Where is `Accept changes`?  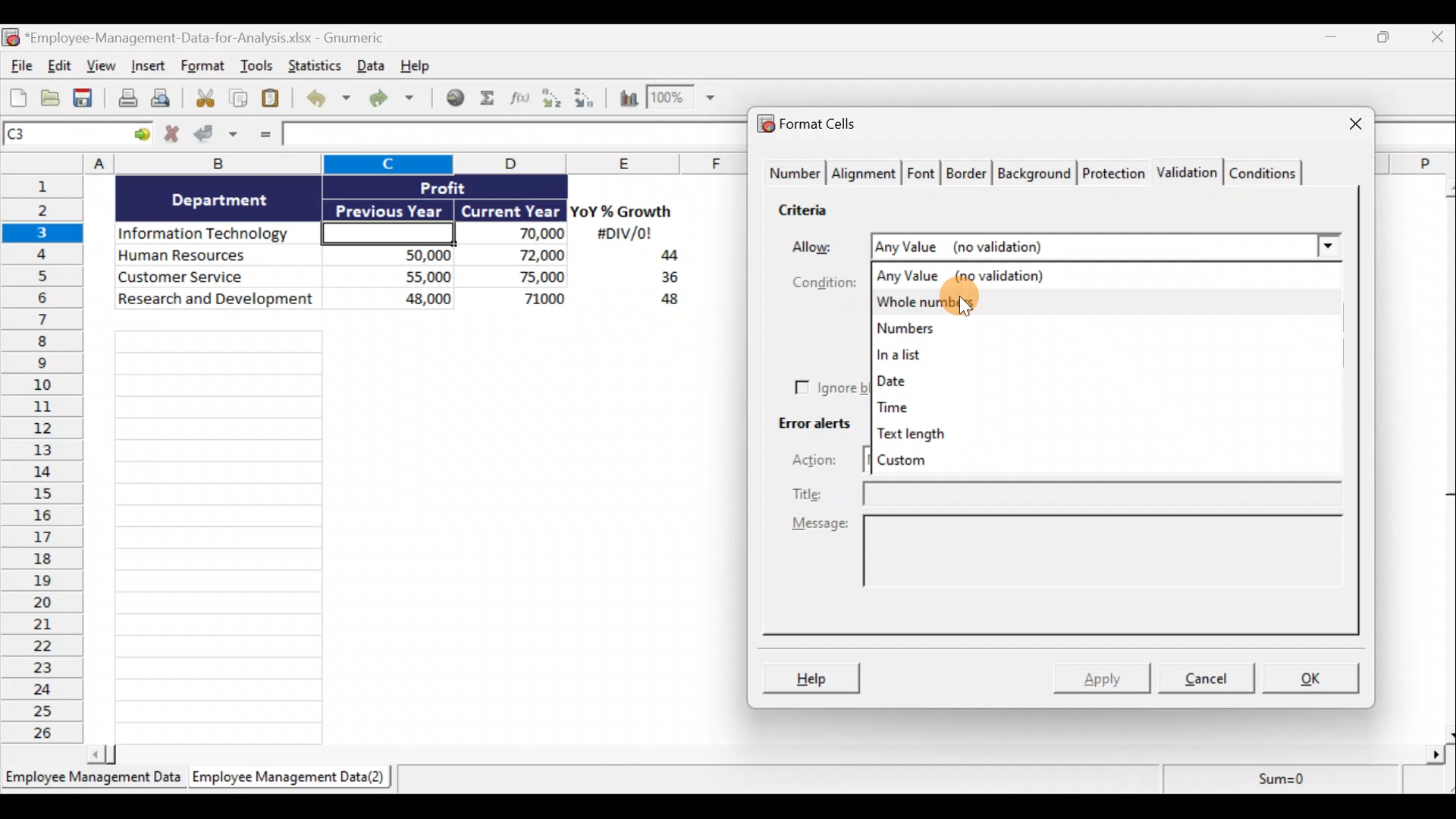
Accept changes is located at coordinates (218, 136).